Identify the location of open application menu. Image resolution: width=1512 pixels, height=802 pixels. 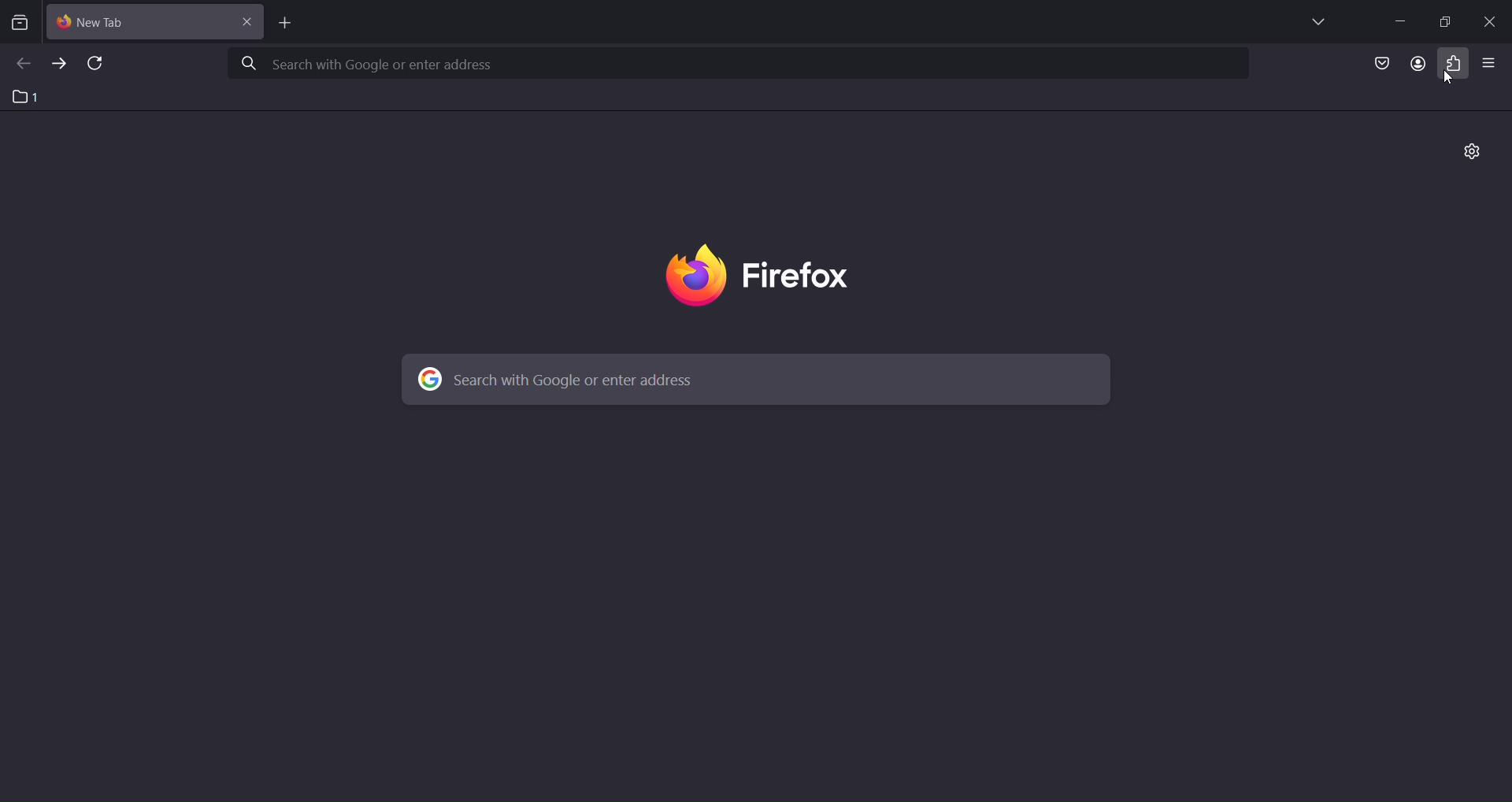
(1489, 65).